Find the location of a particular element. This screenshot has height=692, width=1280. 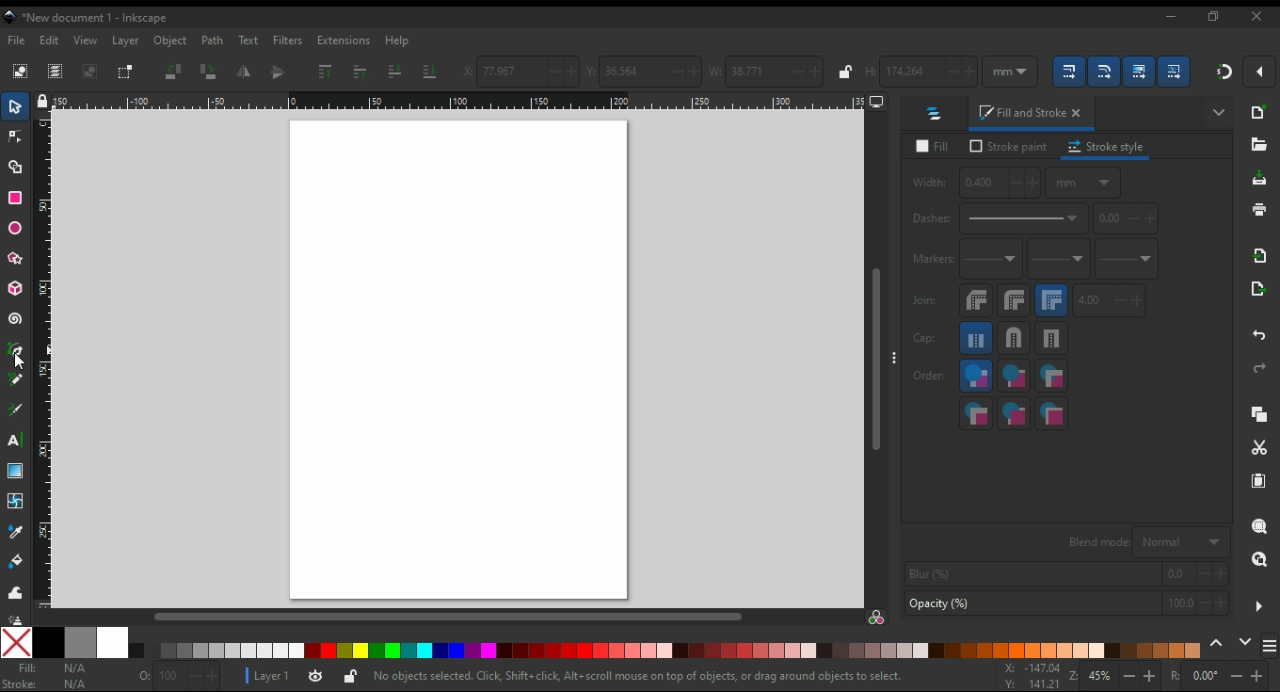

select all in all layers is located at coordinates (57, 72).